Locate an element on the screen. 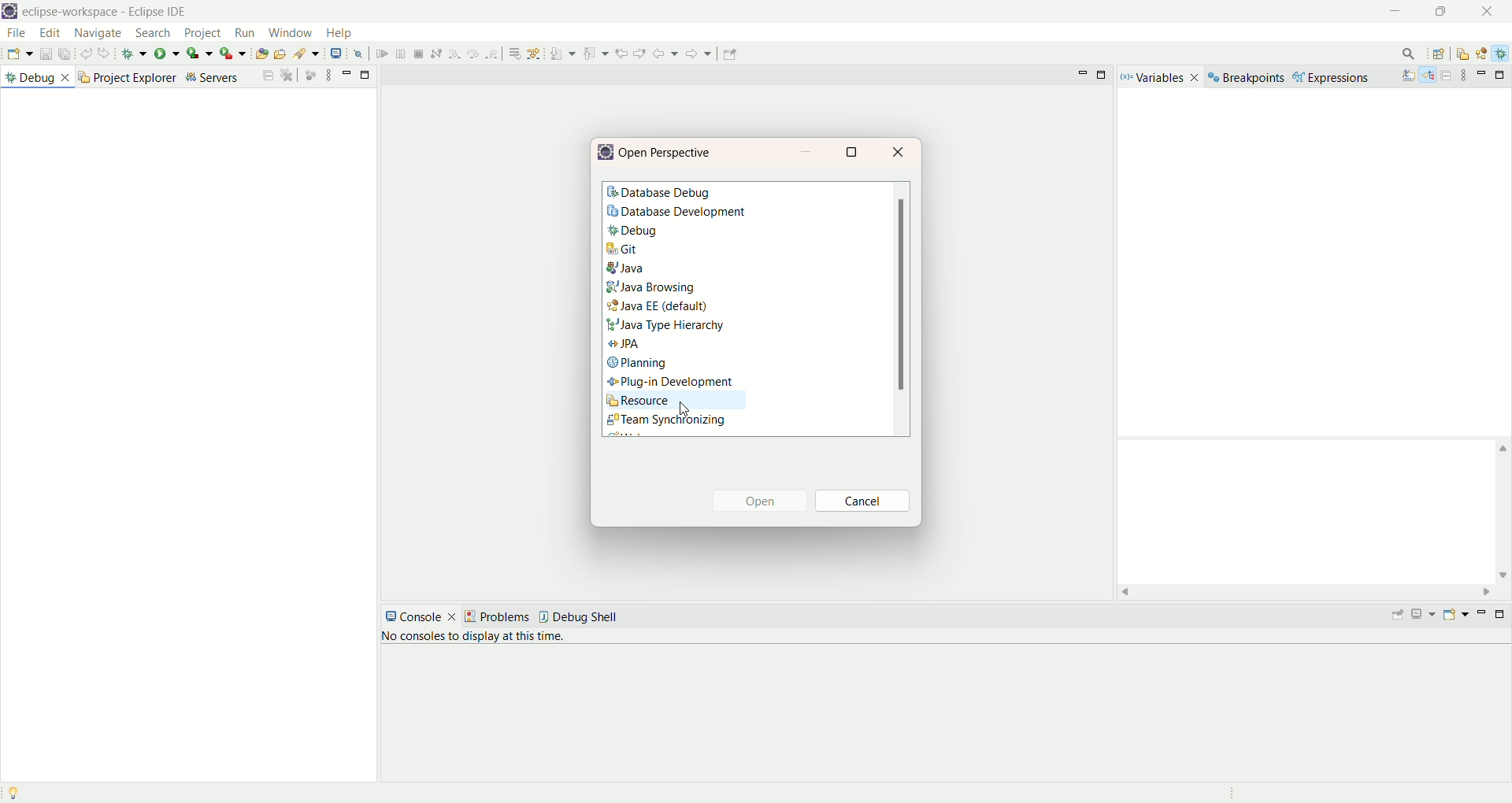 The width and height of the screenshot is (1512, 803). minimize is located at coordinates (347, 73).